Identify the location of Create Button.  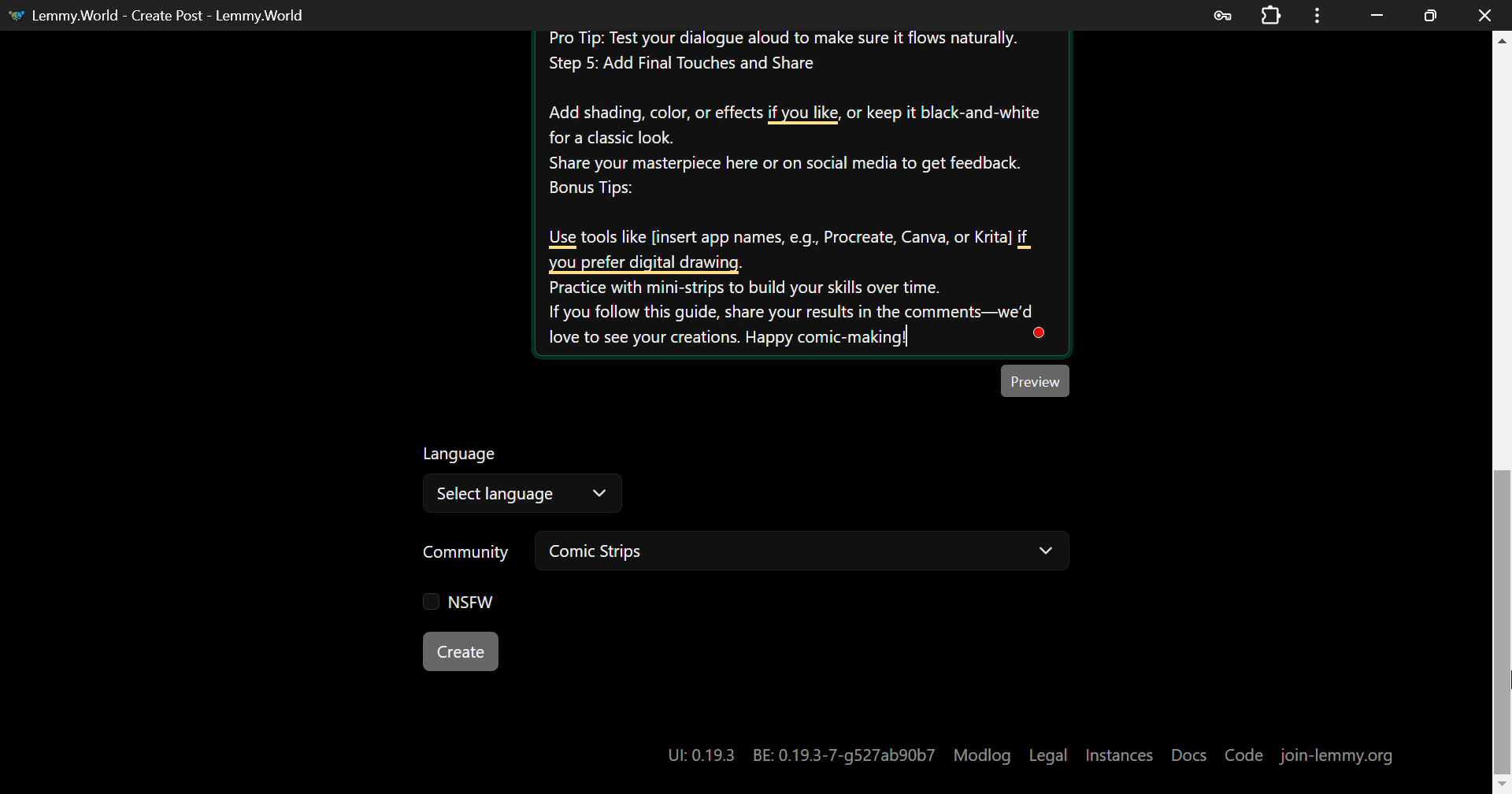
(461, 650).